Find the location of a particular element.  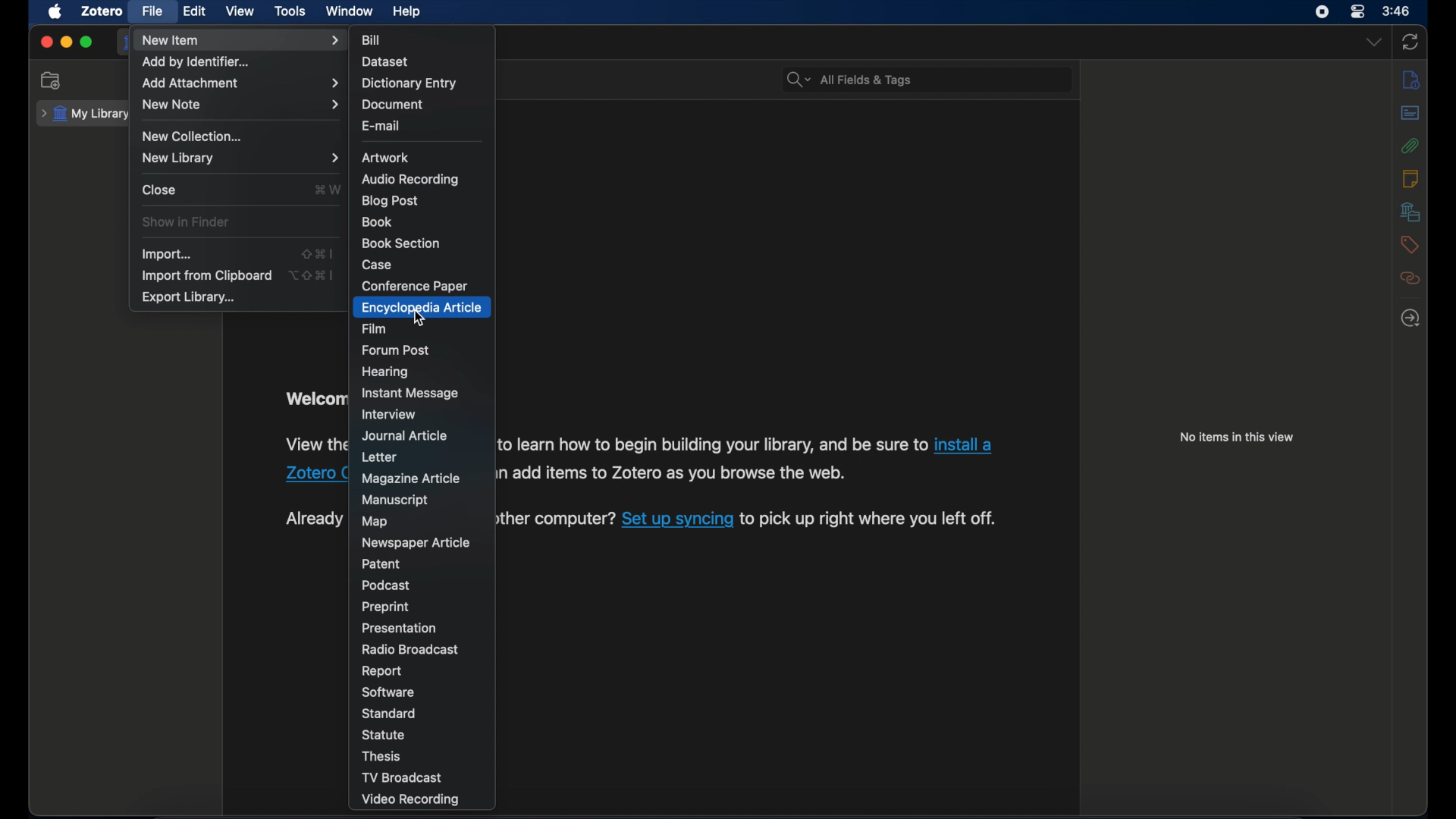

tools is located at coordinates (290, 11).